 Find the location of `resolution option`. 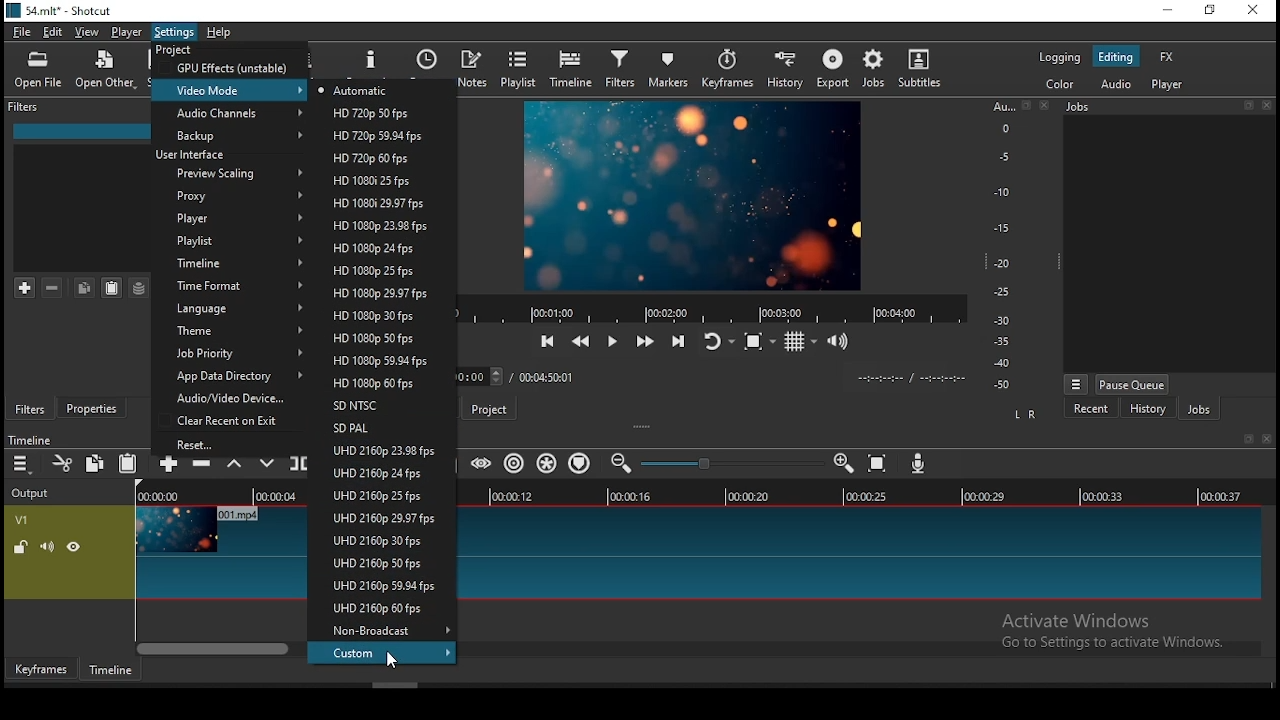

resolution option is located at coordinates (376, 136).